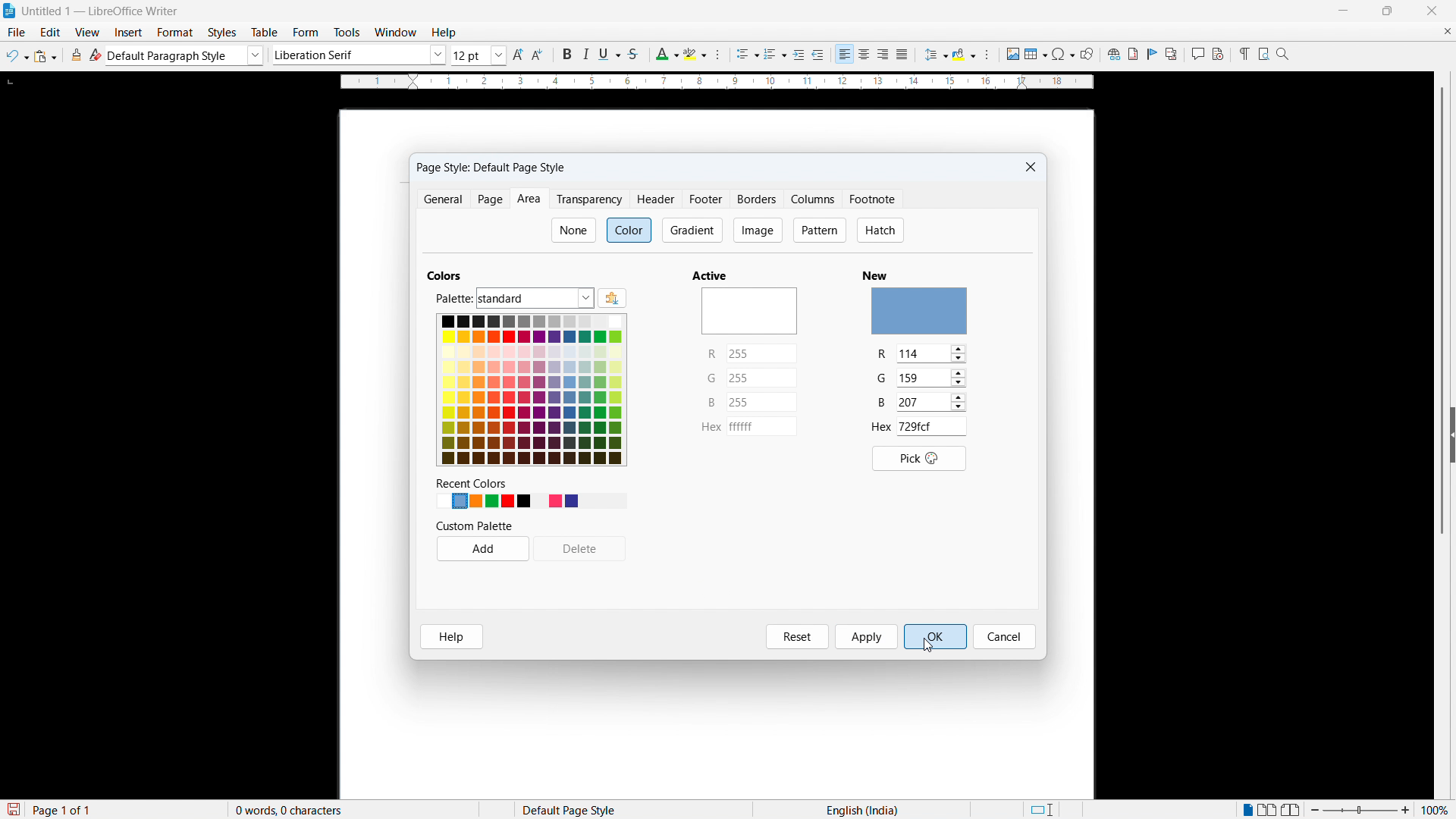 This screenshot has width=1456, height=819. Describe the element at coordinates (666, 55) in the screenshot. I see `Font colour ` at that location.